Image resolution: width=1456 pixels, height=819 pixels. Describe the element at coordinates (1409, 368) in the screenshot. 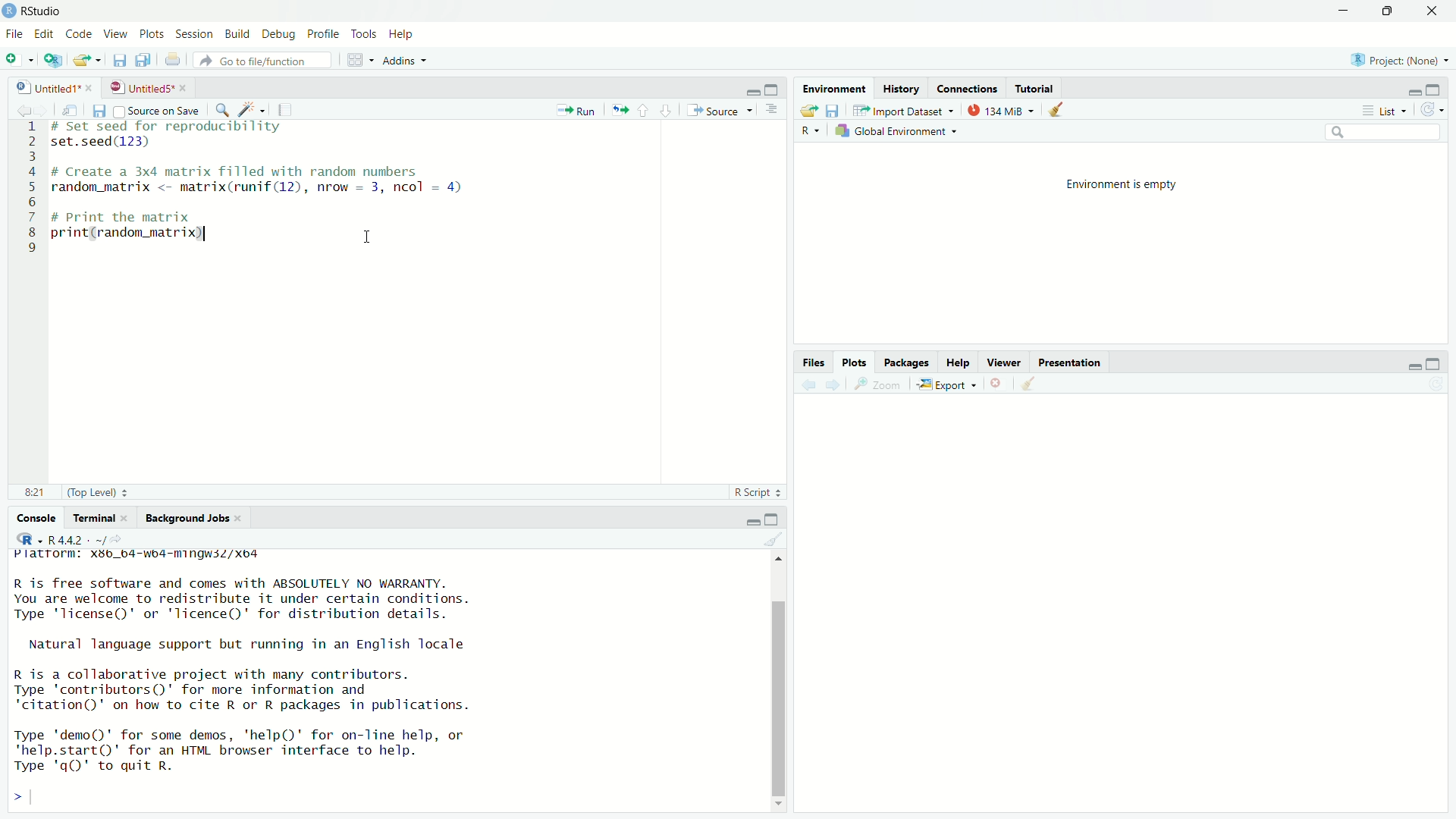

I see `minimise` at that location.